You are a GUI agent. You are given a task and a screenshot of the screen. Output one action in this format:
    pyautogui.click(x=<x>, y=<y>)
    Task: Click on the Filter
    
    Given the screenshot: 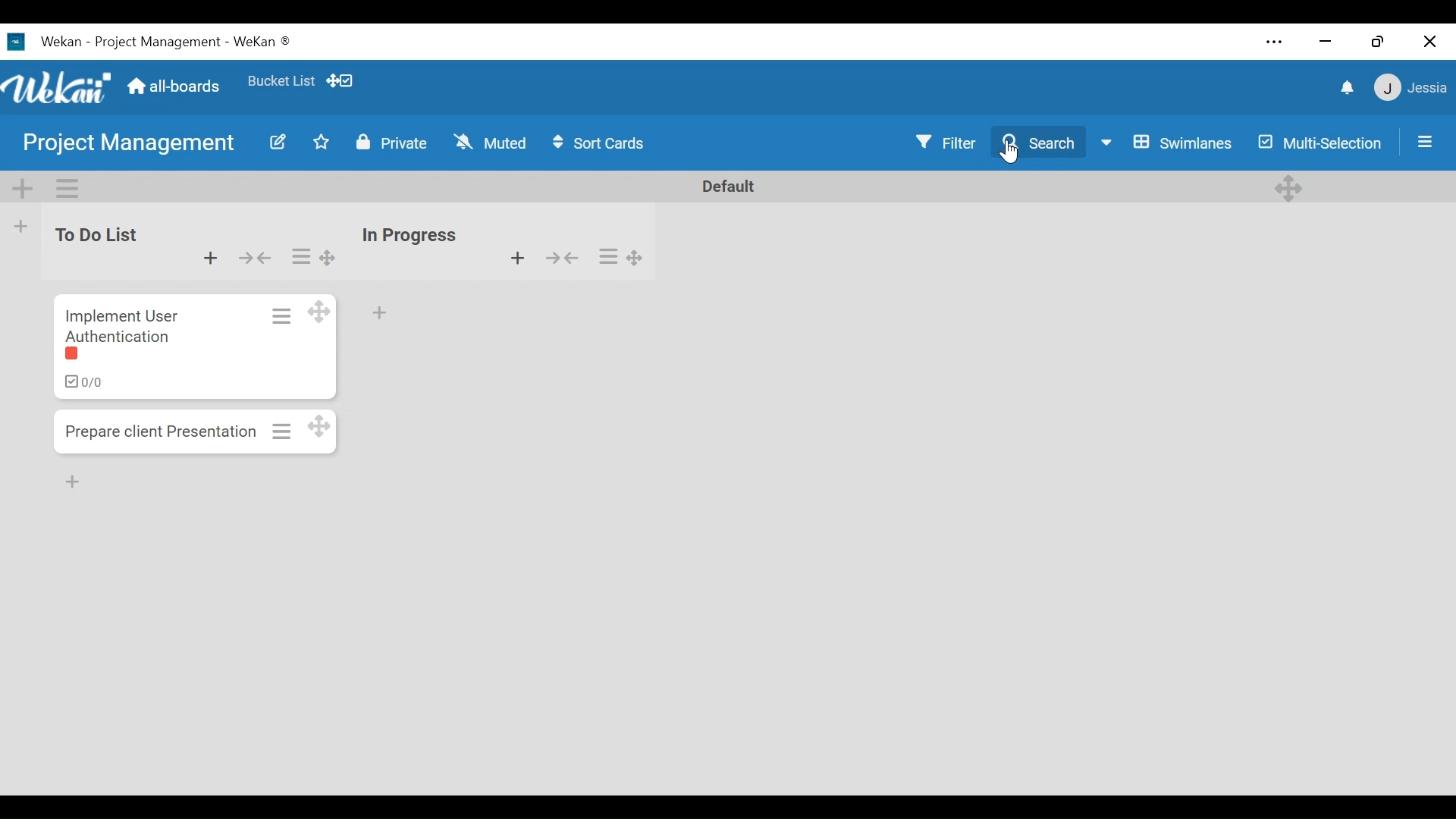 What is the action you would take?
    pyautogui.click(x=944, y=141)
    